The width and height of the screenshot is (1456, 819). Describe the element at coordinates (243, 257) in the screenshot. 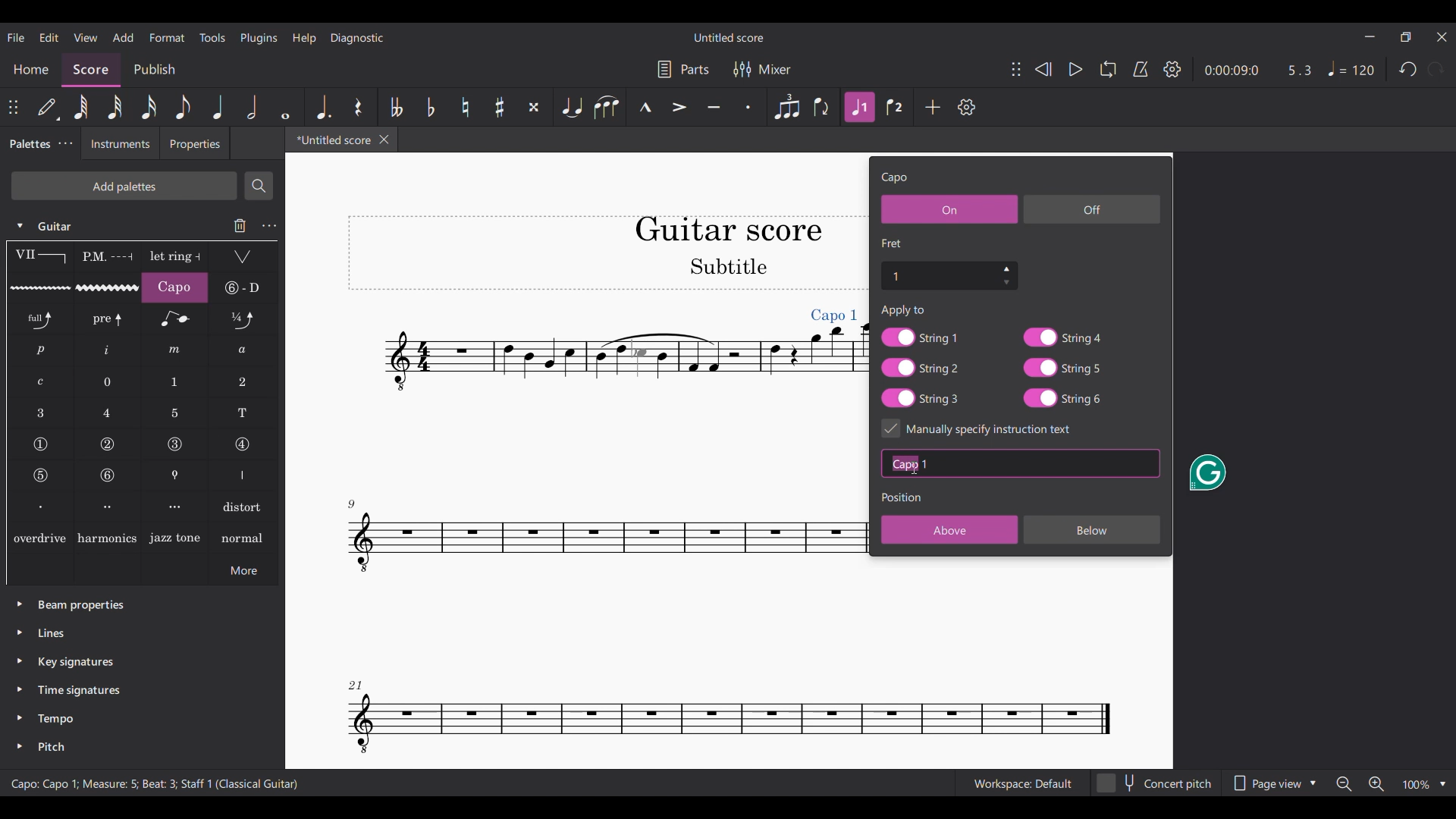

I see `Tremolo bar` at that location.